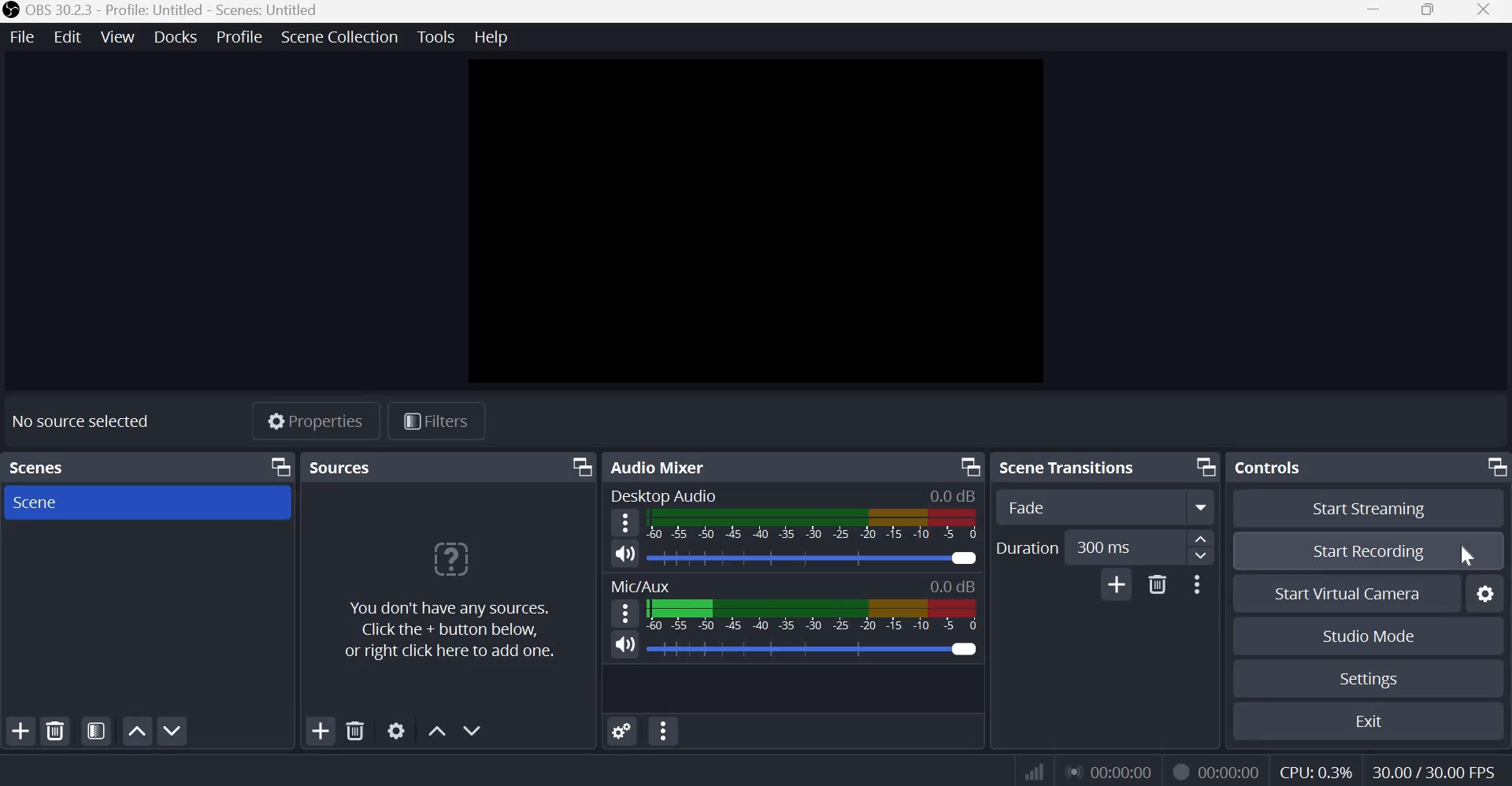 Image resolution: width=1512 pixels, height=786 pixels. I want to click on Increase, so click(1203, 538).